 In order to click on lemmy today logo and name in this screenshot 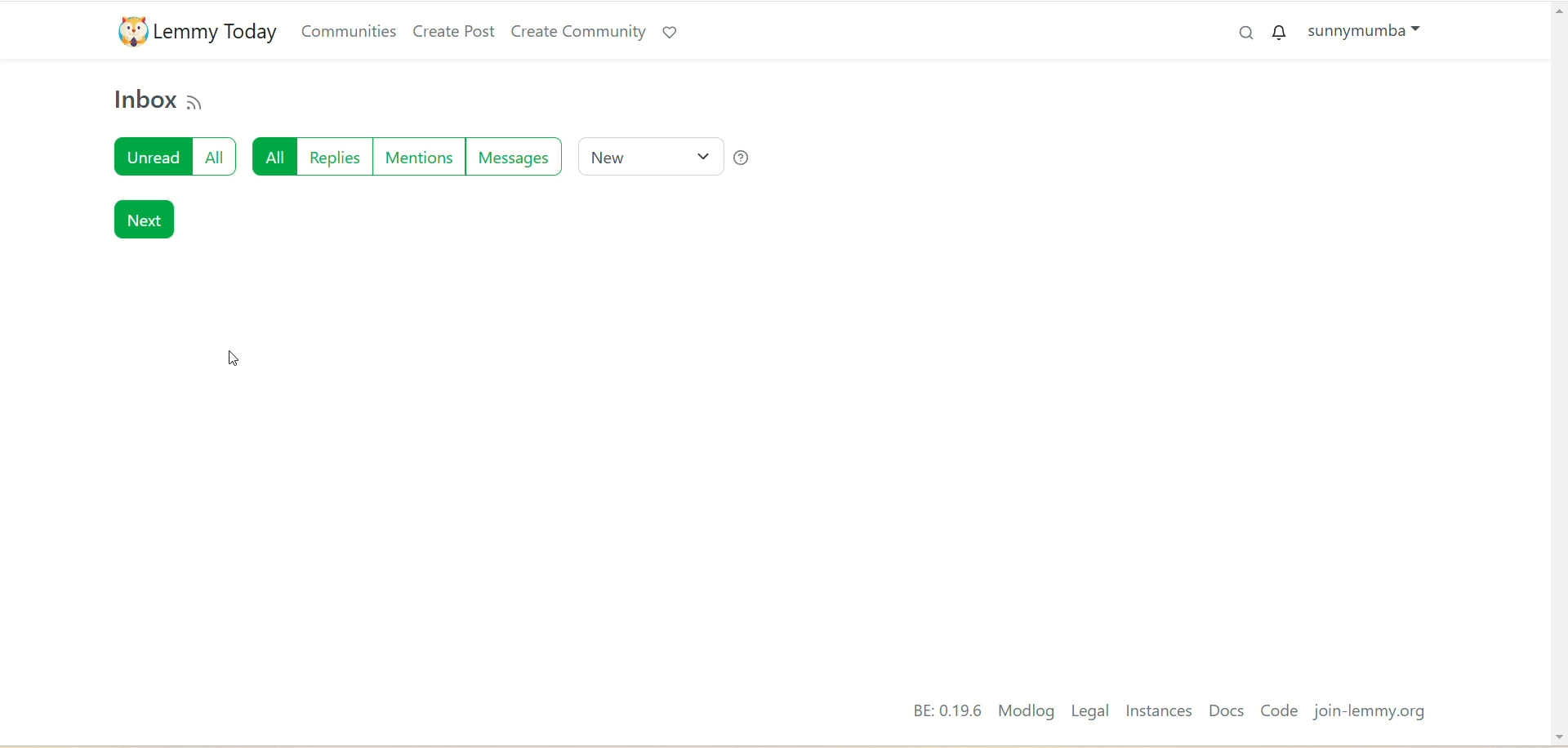, I will do `click(195, 29)`.